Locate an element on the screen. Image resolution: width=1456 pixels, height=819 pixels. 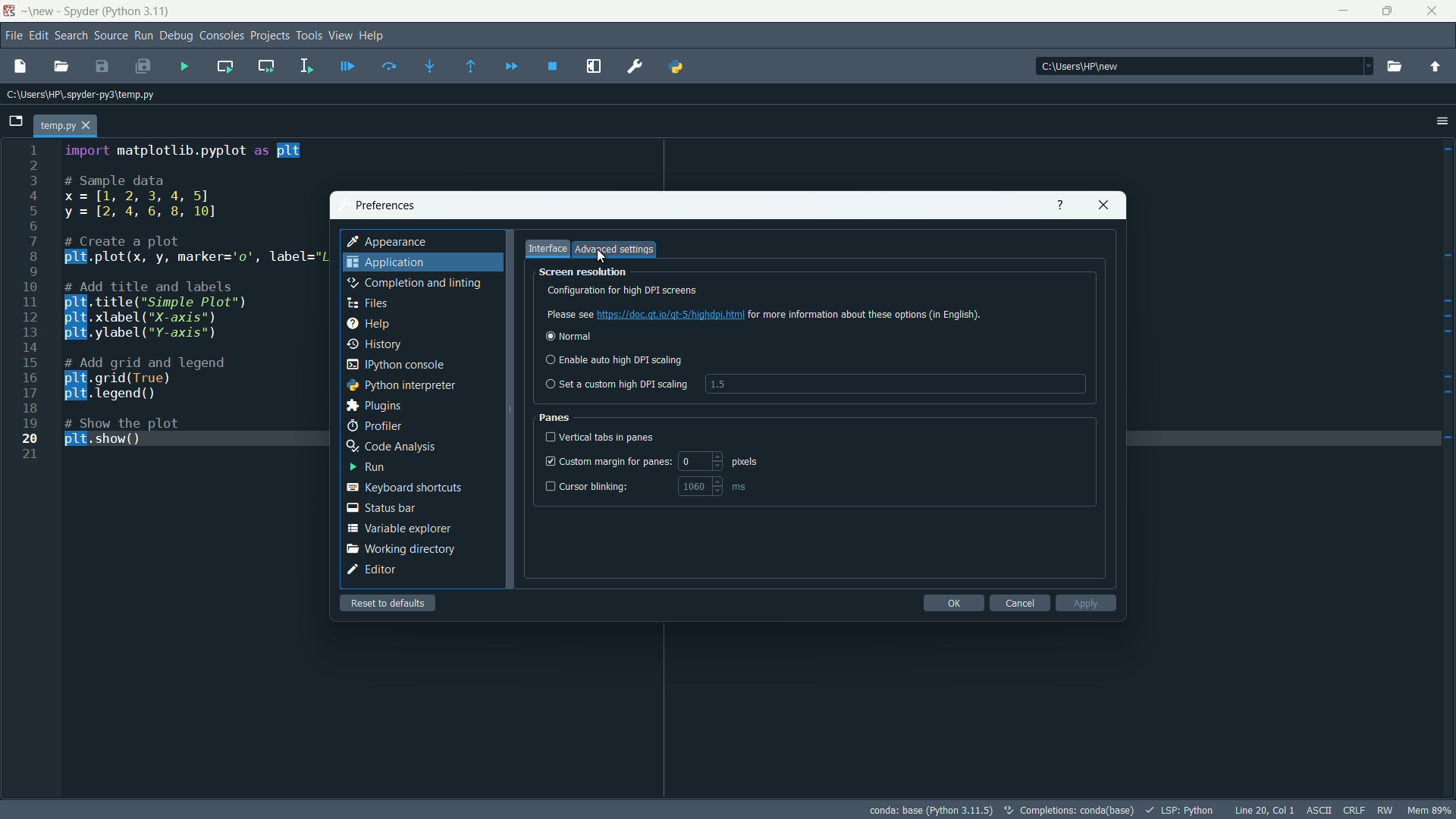
| | Please see https://doc.qt.io/qt-5/highdpl.html for more information about these options (in English). is located at coordinates (766, 313).